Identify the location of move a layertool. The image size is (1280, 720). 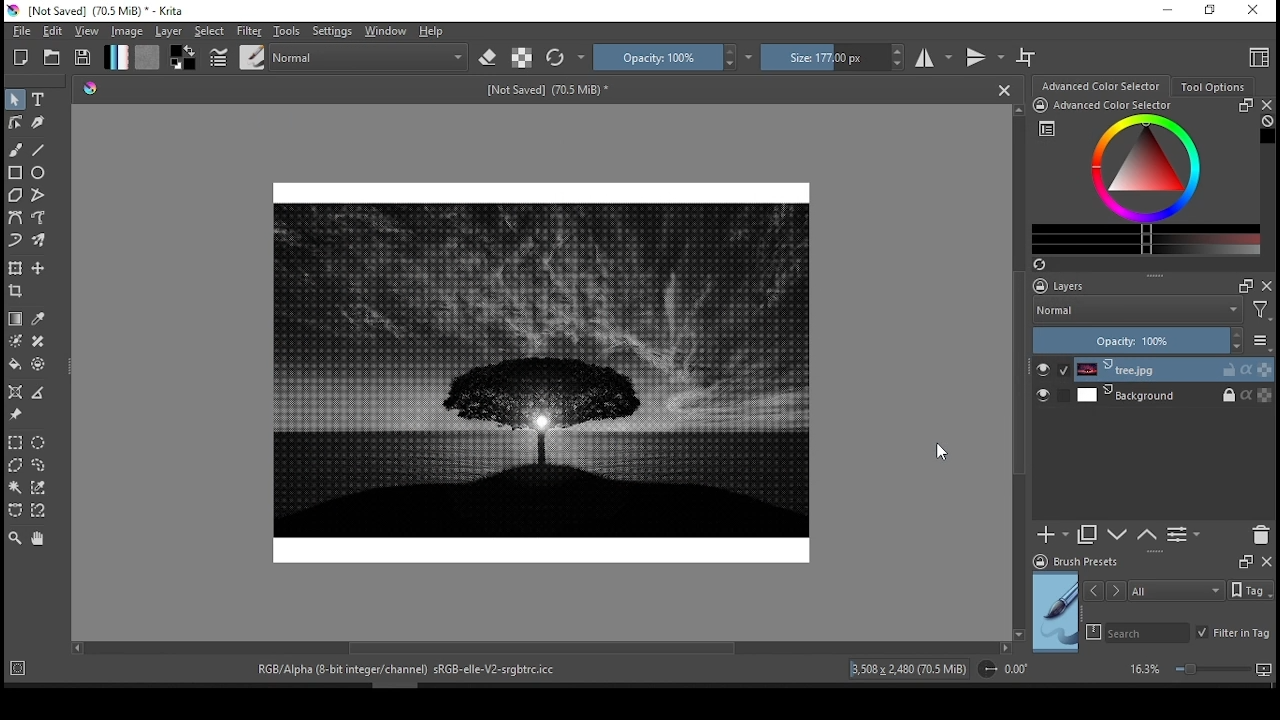
(40, 269).